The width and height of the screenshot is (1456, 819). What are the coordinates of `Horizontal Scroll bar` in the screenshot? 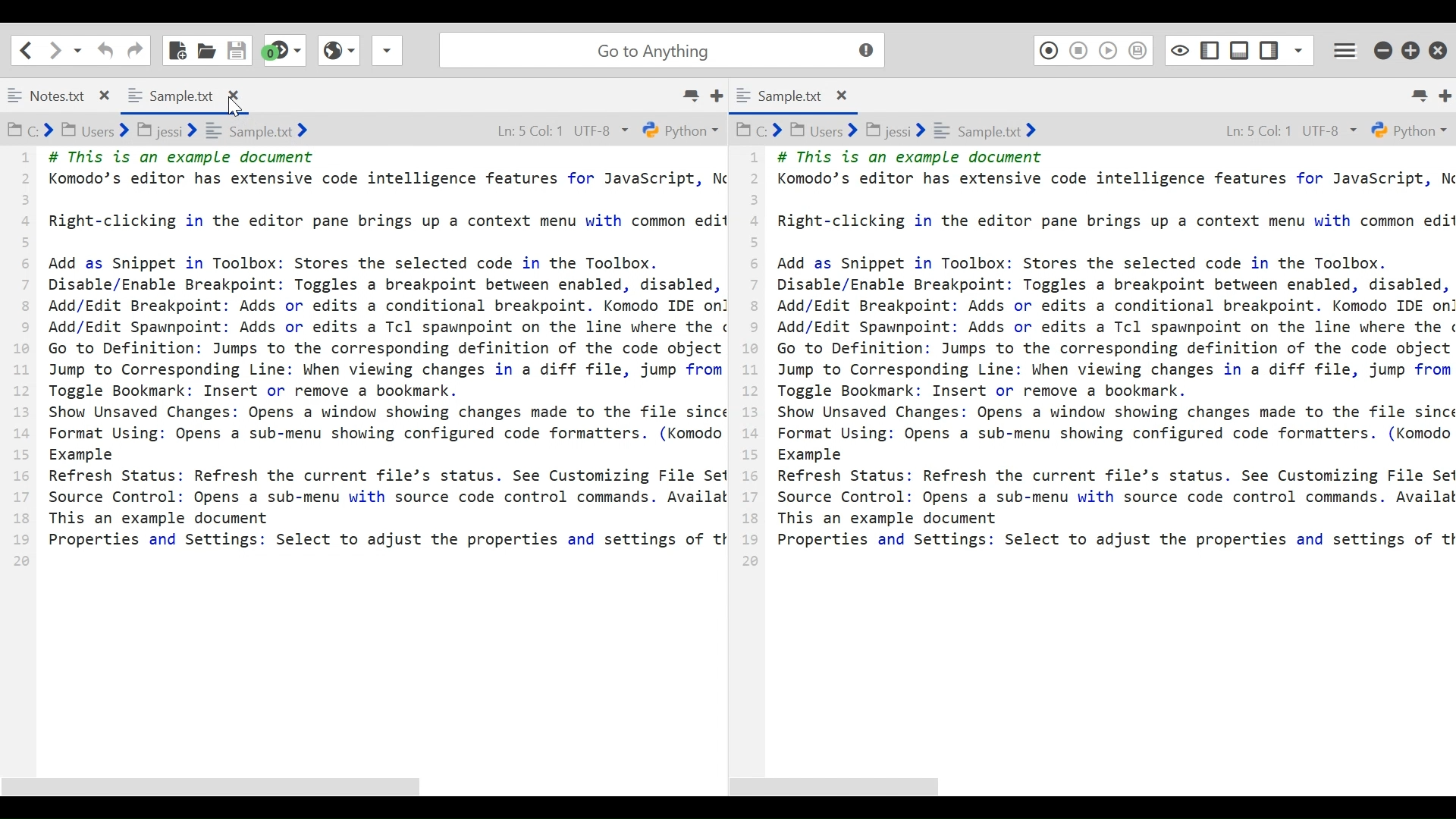 It's located at (212, 787).